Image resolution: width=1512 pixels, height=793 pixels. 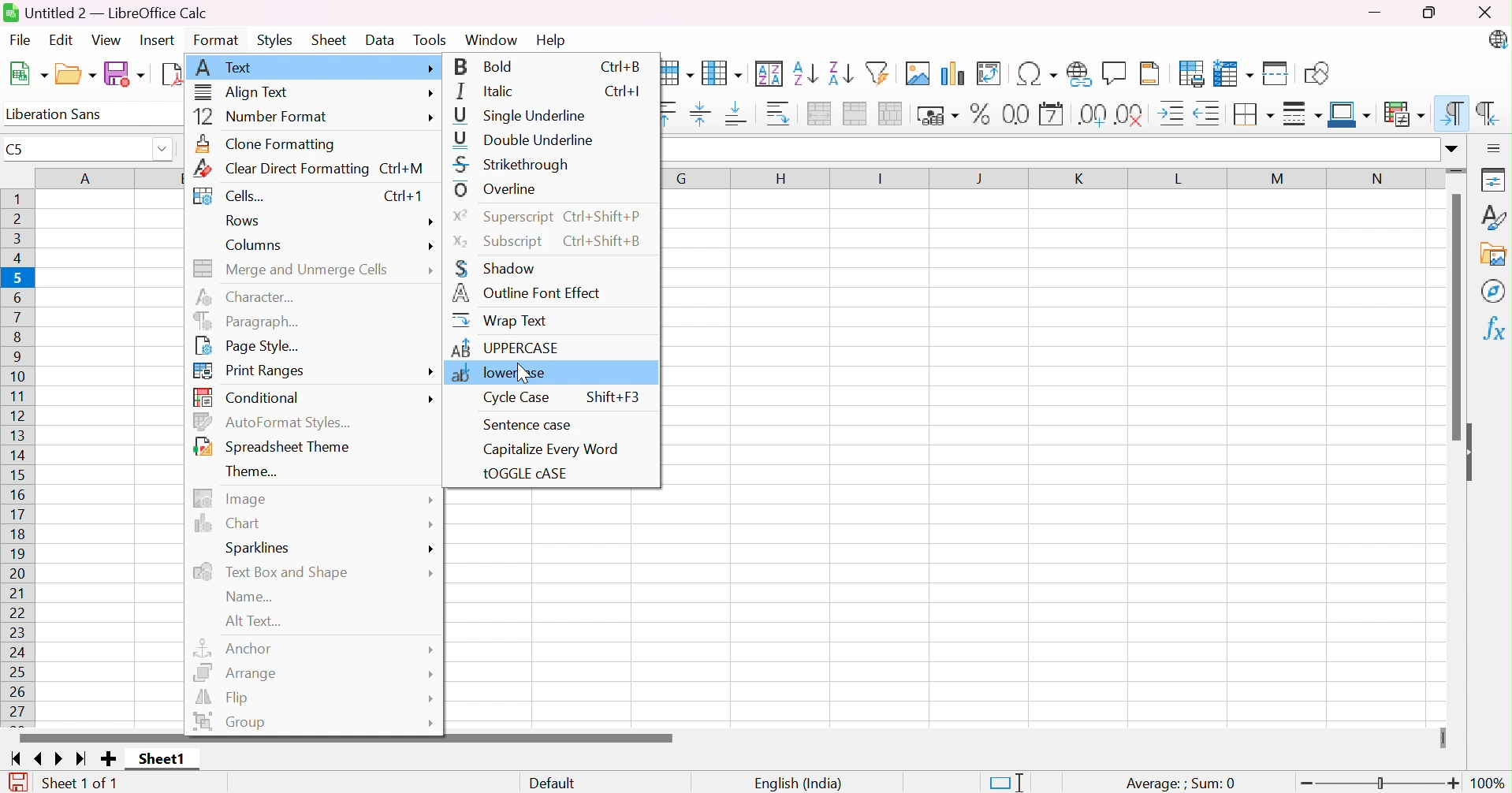 What do you see at coordinates (821, 114) in the screenshot?
I see `Merge and Center or Unmerge cells depending on the current toggle state` at bounding box center [821, 114].